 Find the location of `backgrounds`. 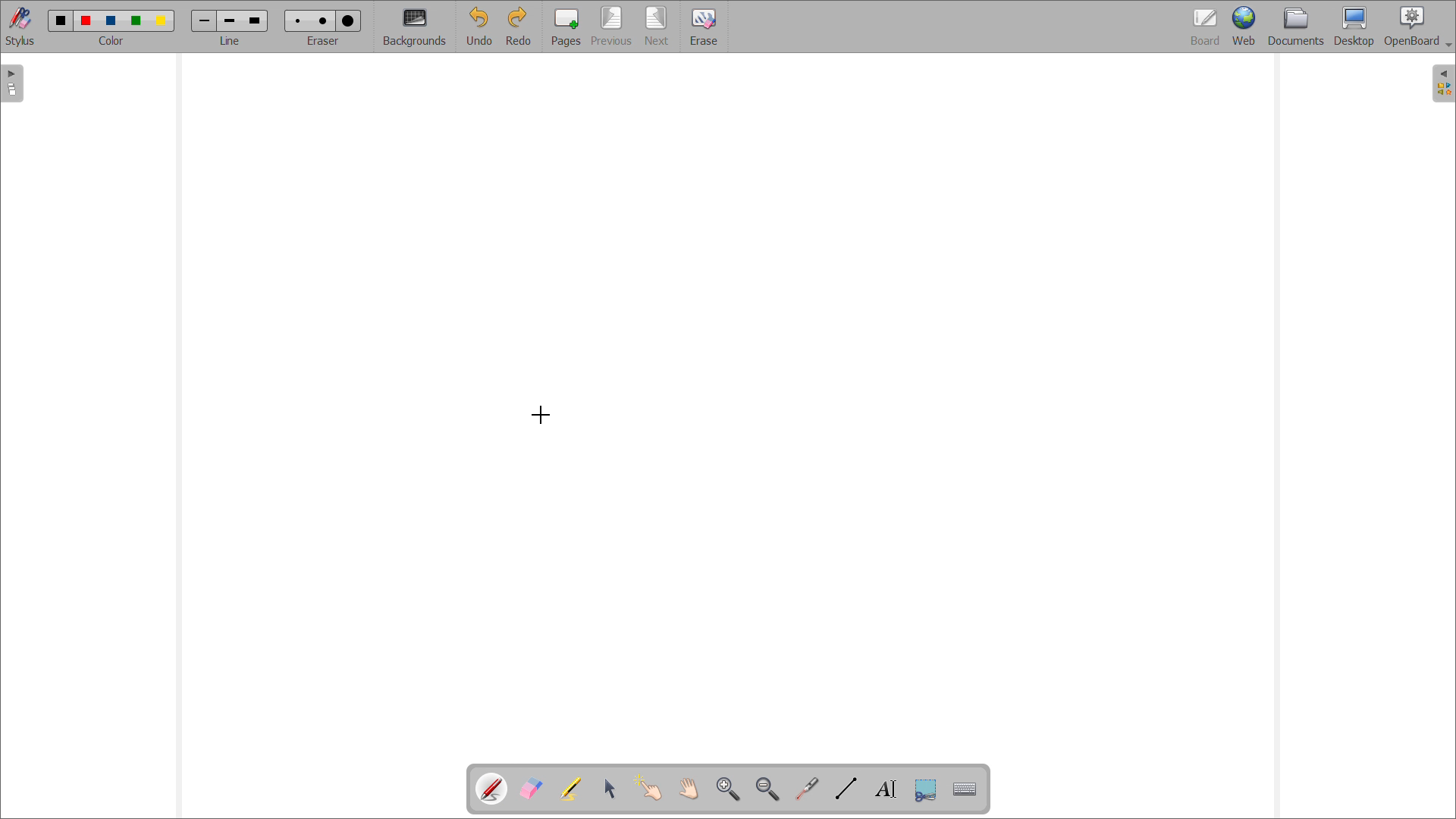

backgrounds is located at coordinates (415, 26).